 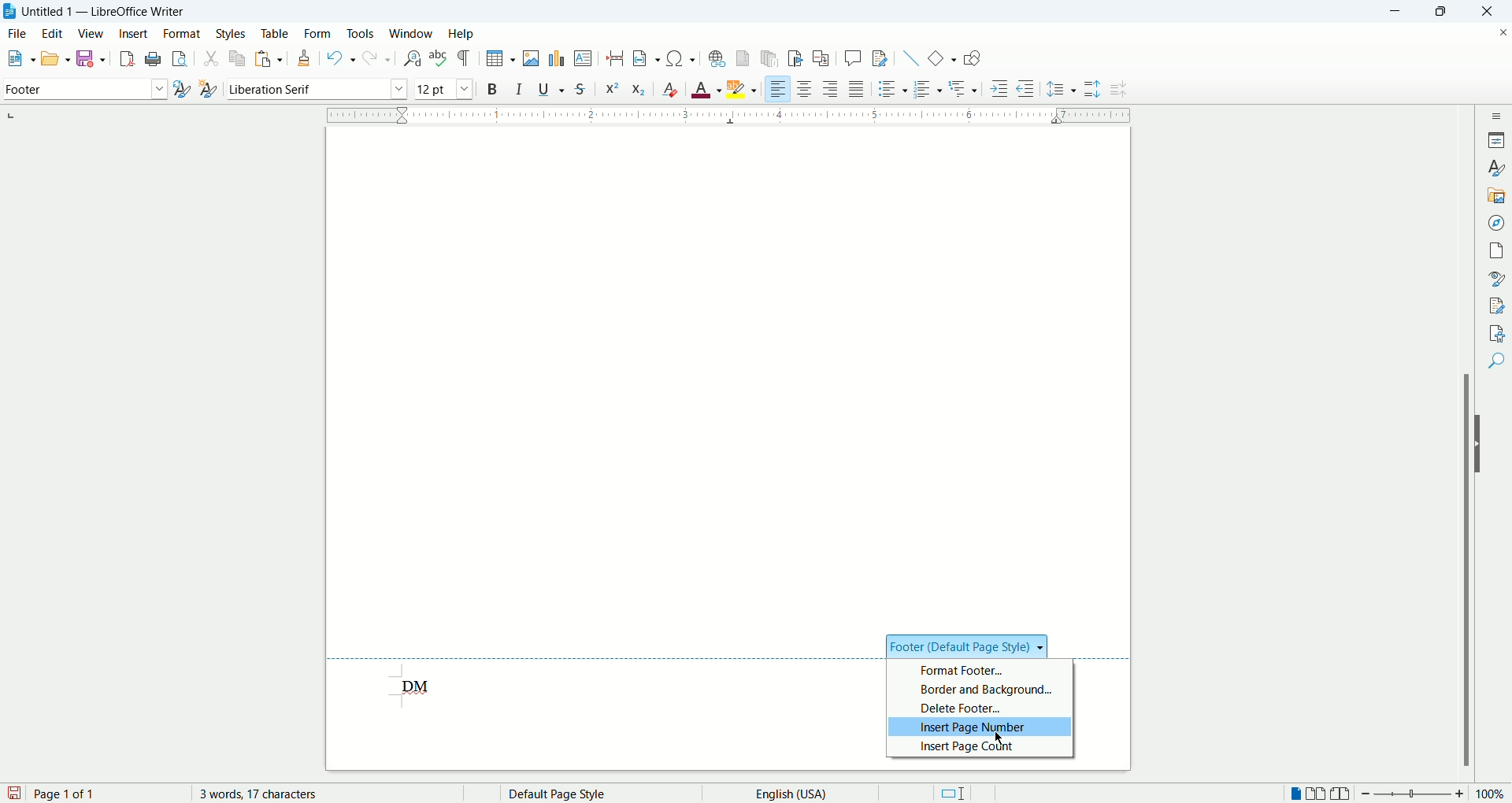 What do you see at coordinates (580, 91) in the screenshot?
I see `strikethrough` at bounding box center [580, 91].